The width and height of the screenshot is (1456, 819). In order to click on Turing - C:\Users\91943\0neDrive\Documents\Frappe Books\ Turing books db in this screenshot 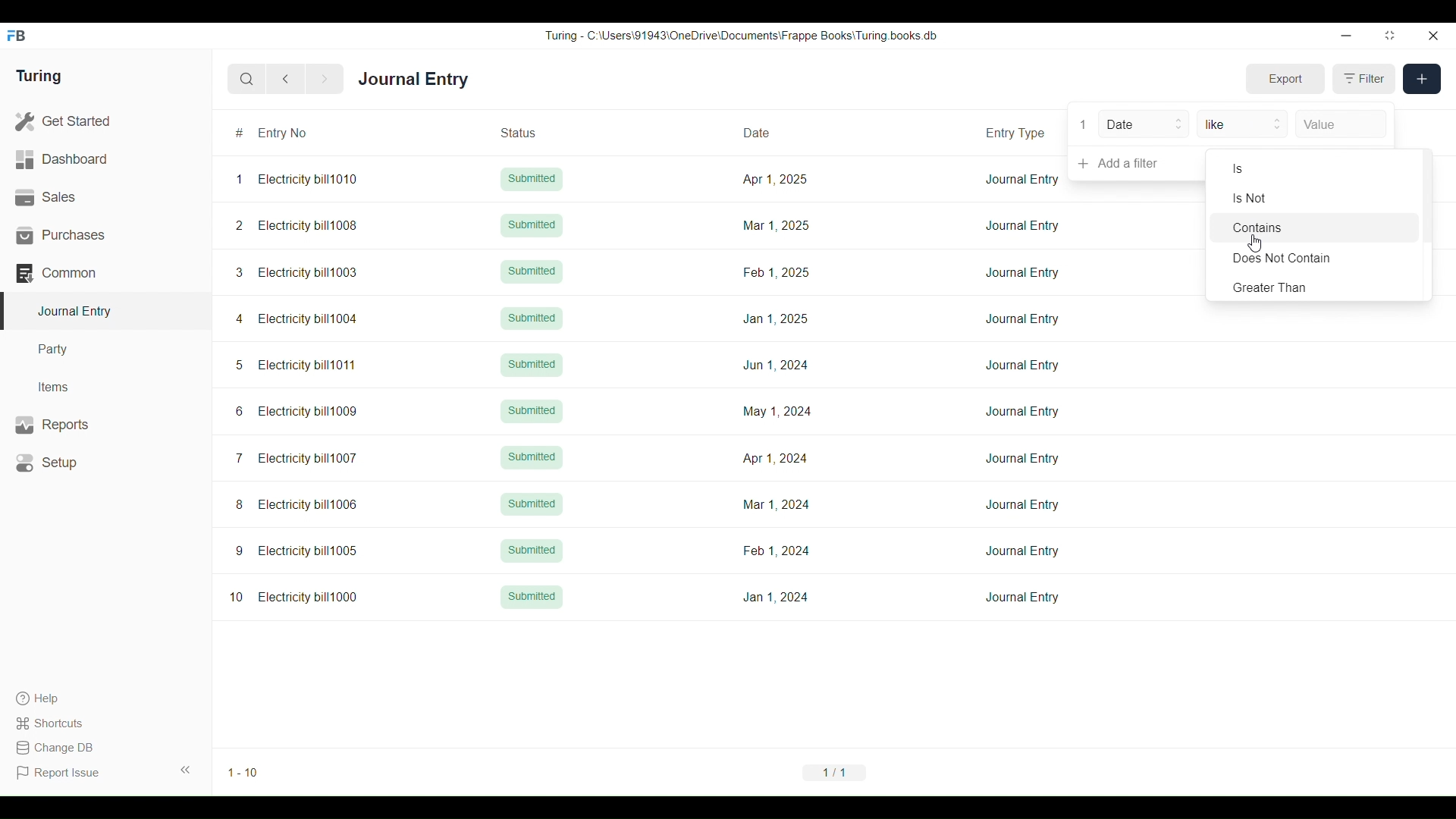, I will do `click(740, 36)`.